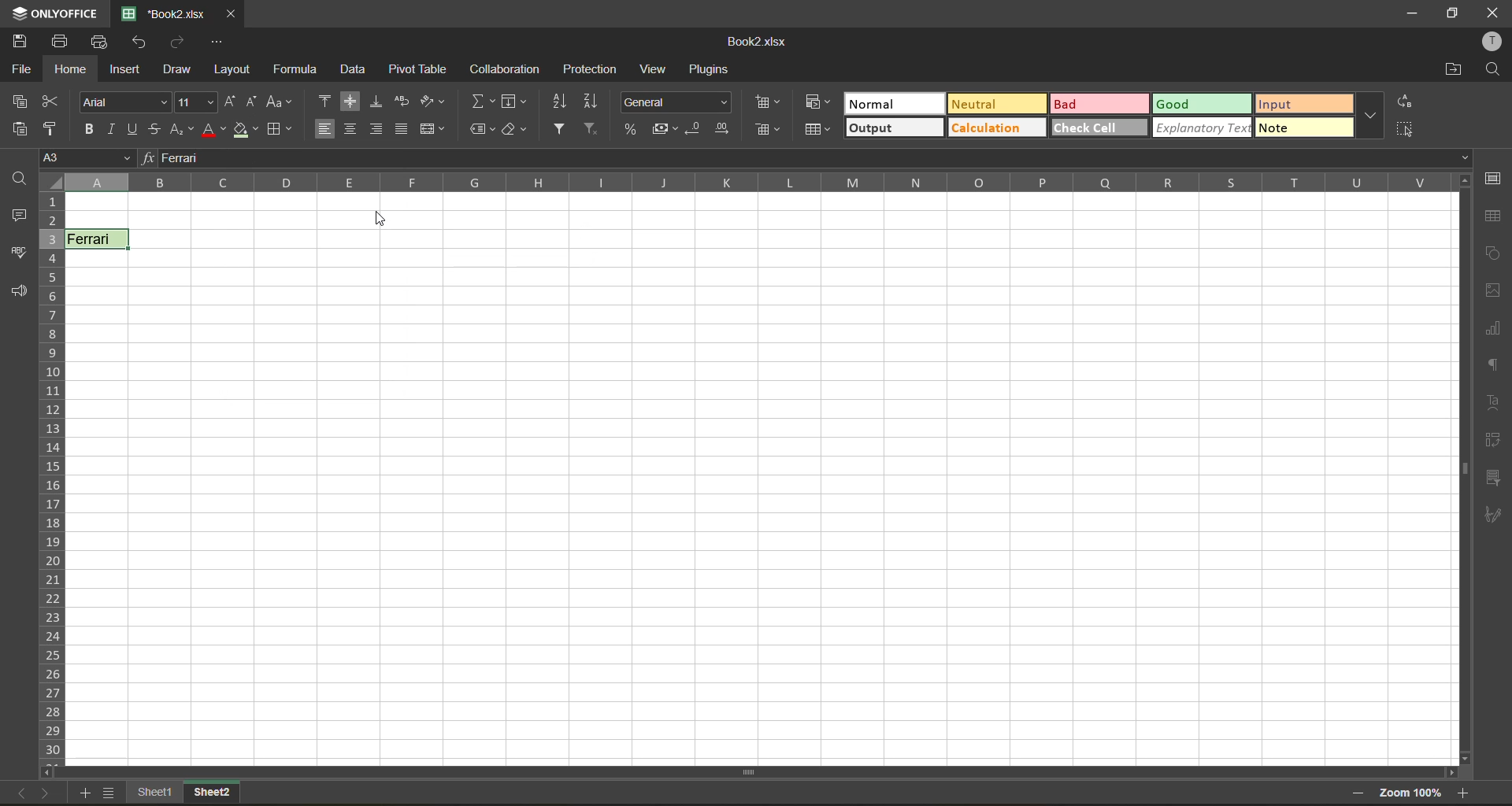  Describe the element at coordinates (658, 68) in the screenshot. I see `view` at that location.